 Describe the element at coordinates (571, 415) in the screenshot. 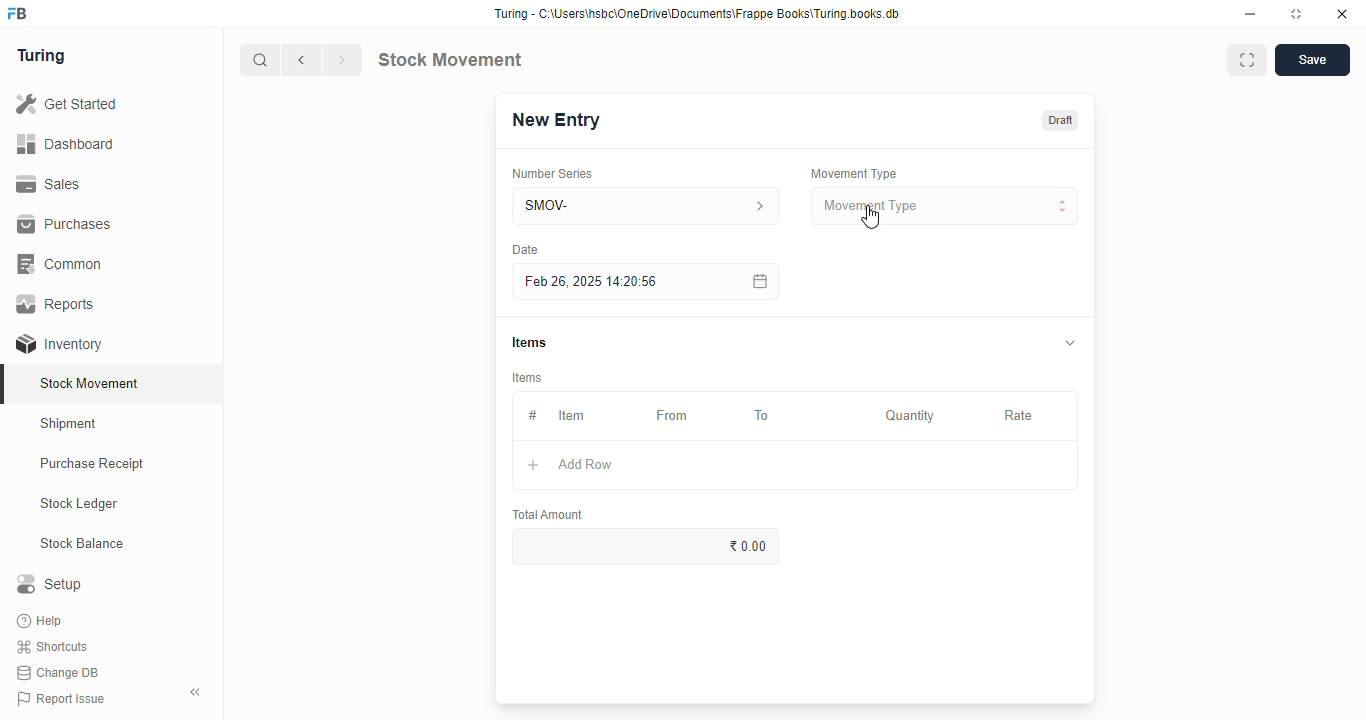

I see `item` at that location.